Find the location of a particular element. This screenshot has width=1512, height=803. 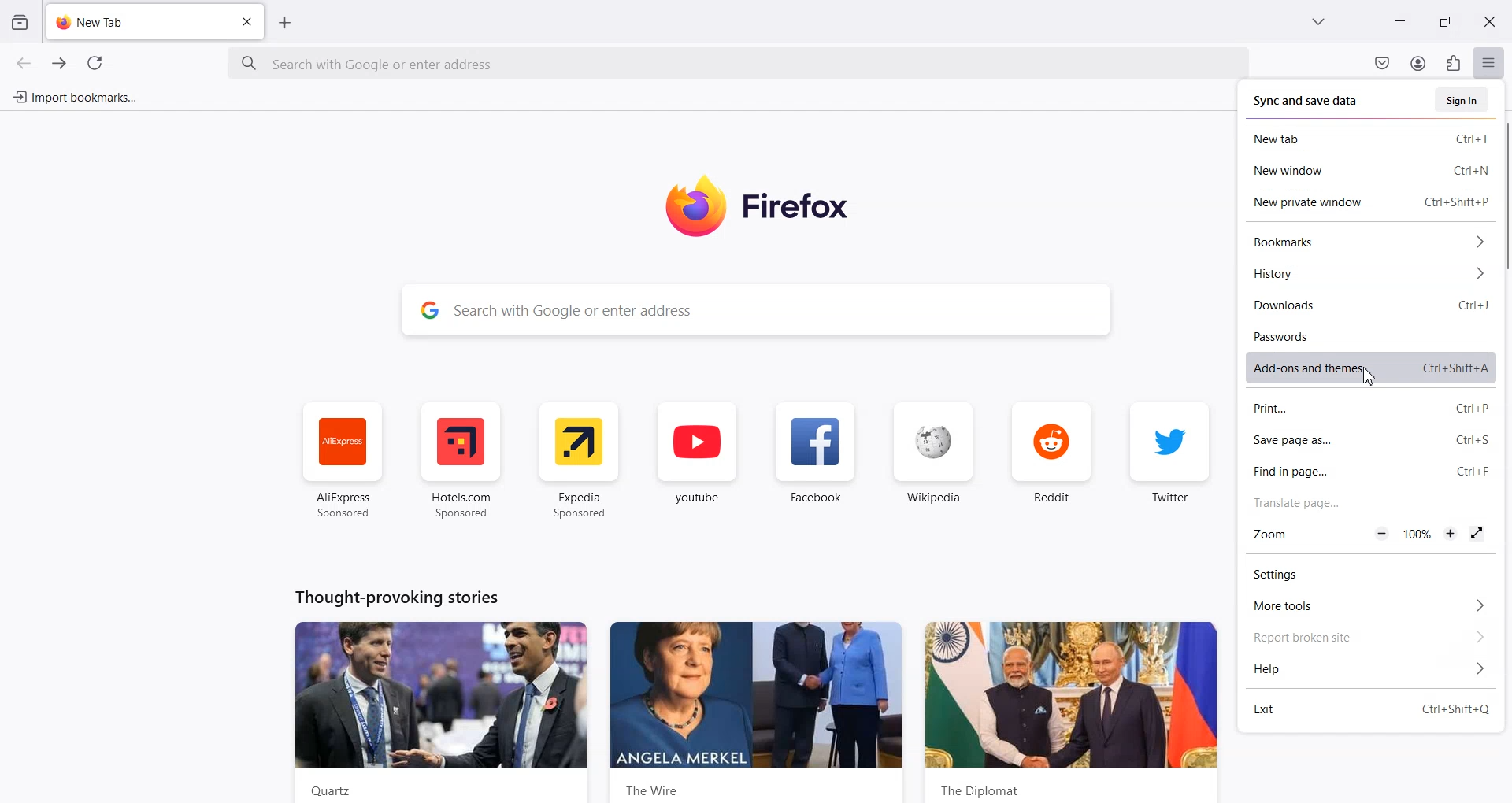

Refresh is located at coordinates (95, 63).